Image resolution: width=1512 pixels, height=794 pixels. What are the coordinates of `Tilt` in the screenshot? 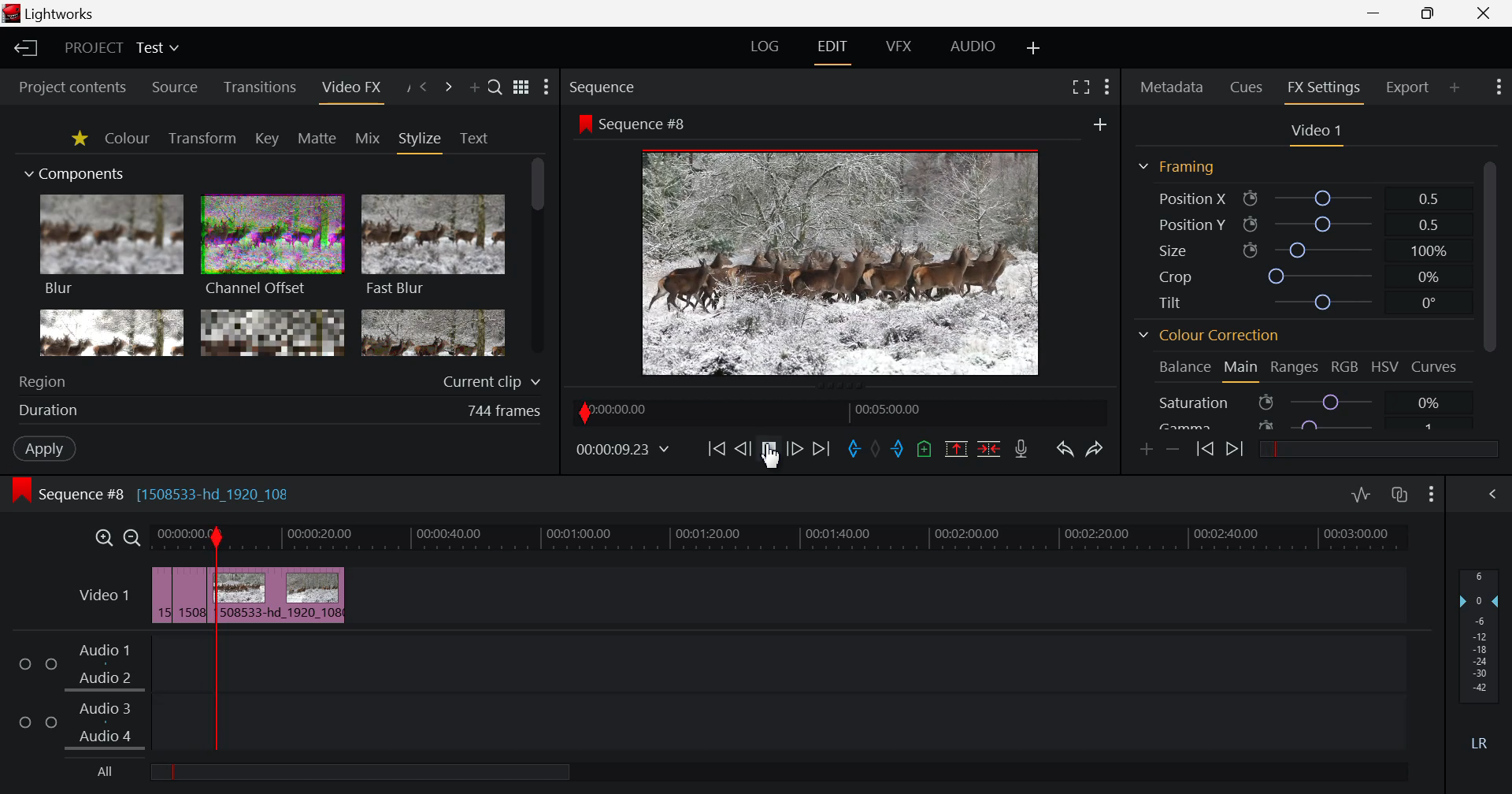 It's located at (1295, 302).